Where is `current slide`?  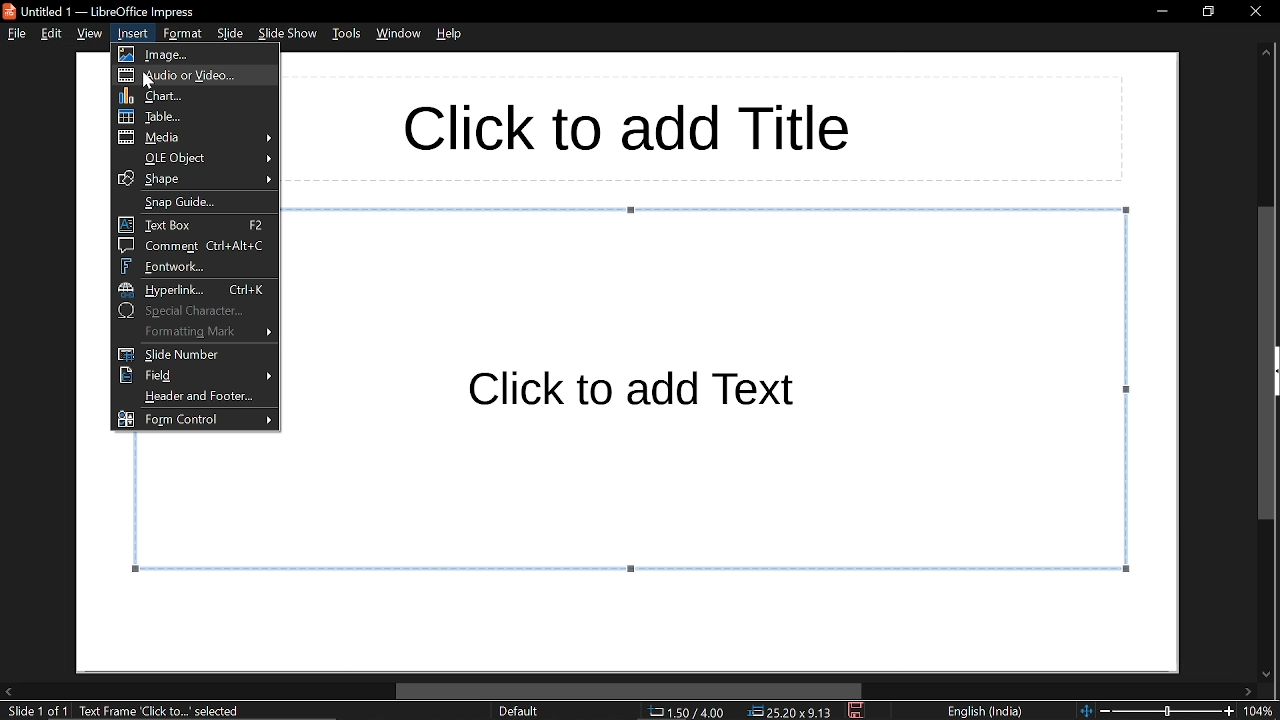 current slide is located at coordinates (36, 712).